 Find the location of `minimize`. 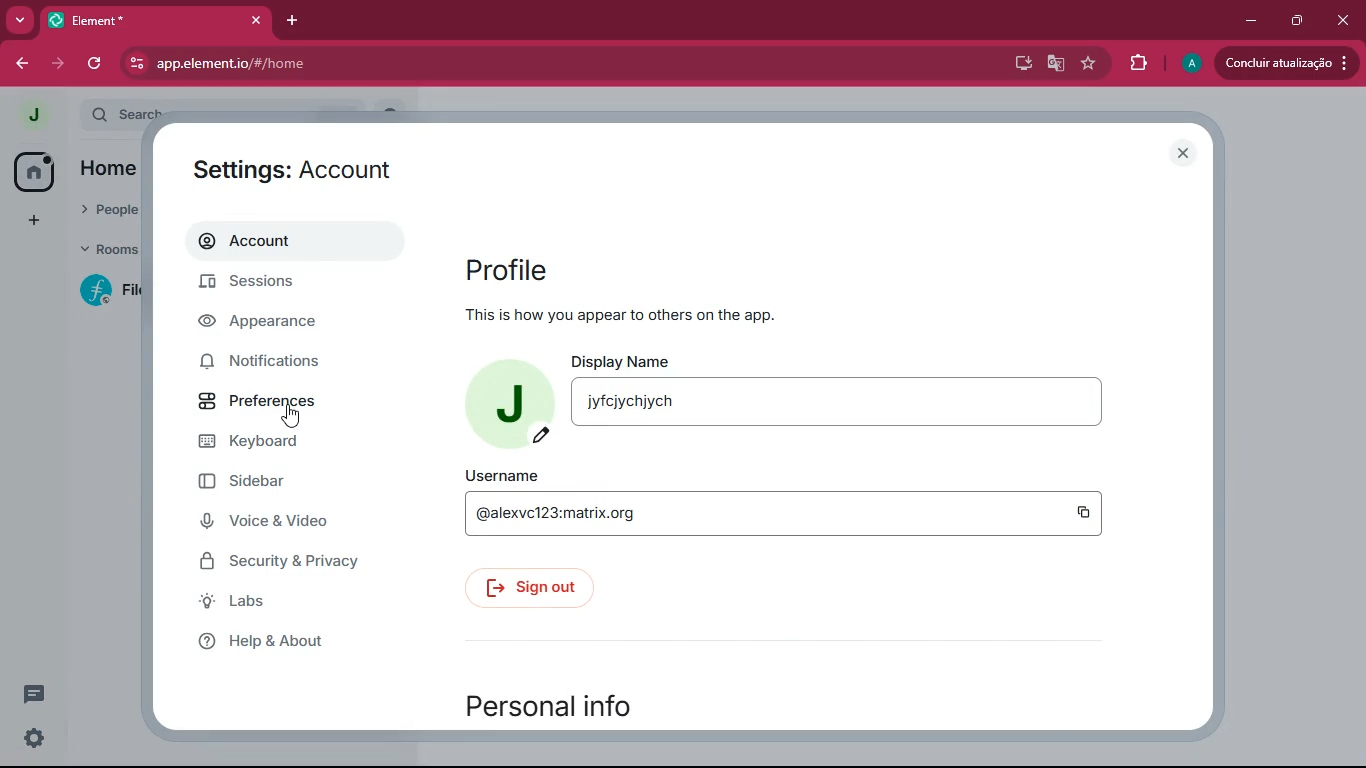

minimize is located at coordinates (1247, 21).